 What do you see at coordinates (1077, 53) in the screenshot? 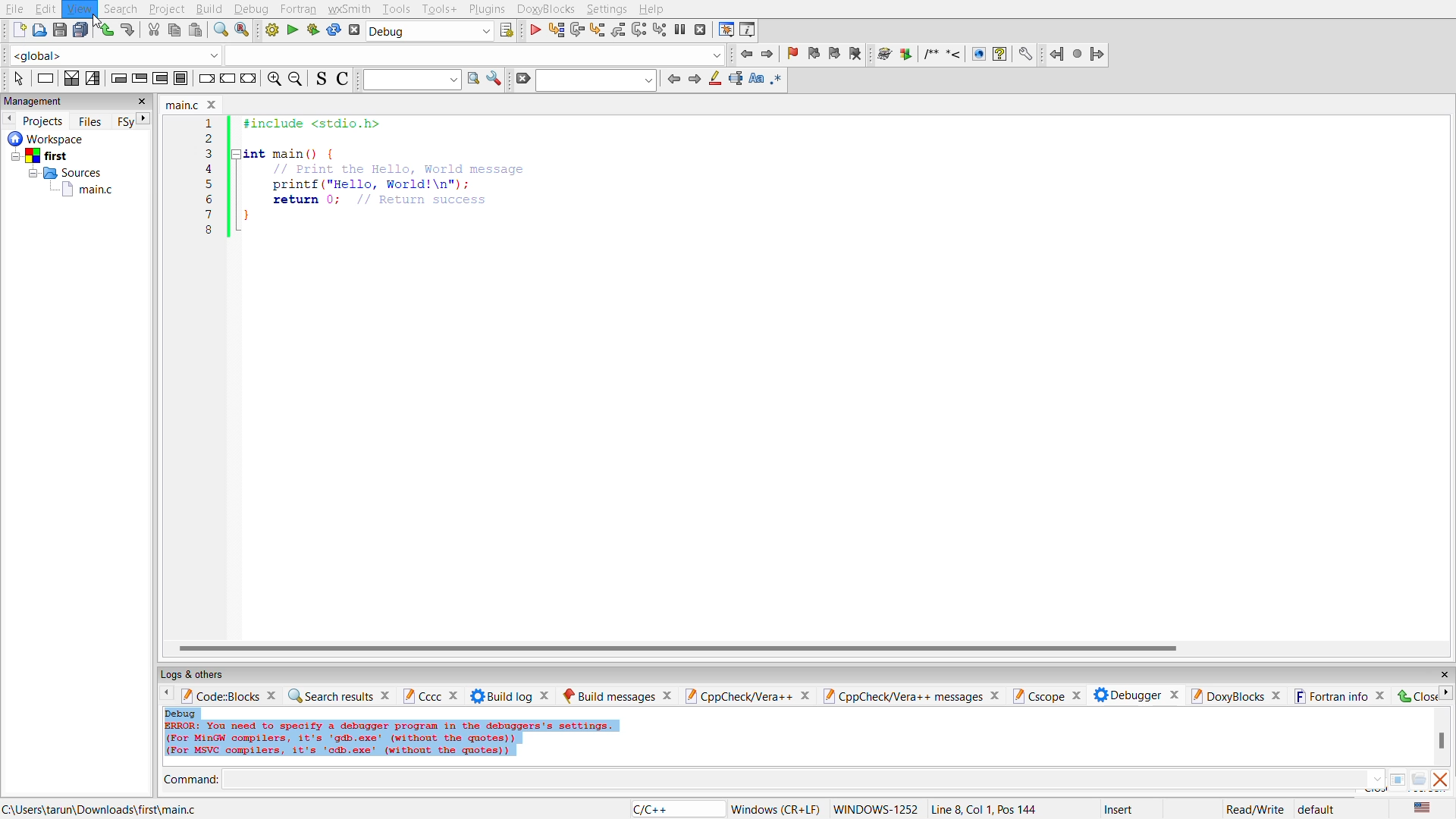
I see `fortran project` at bounding box center [1077, 53].